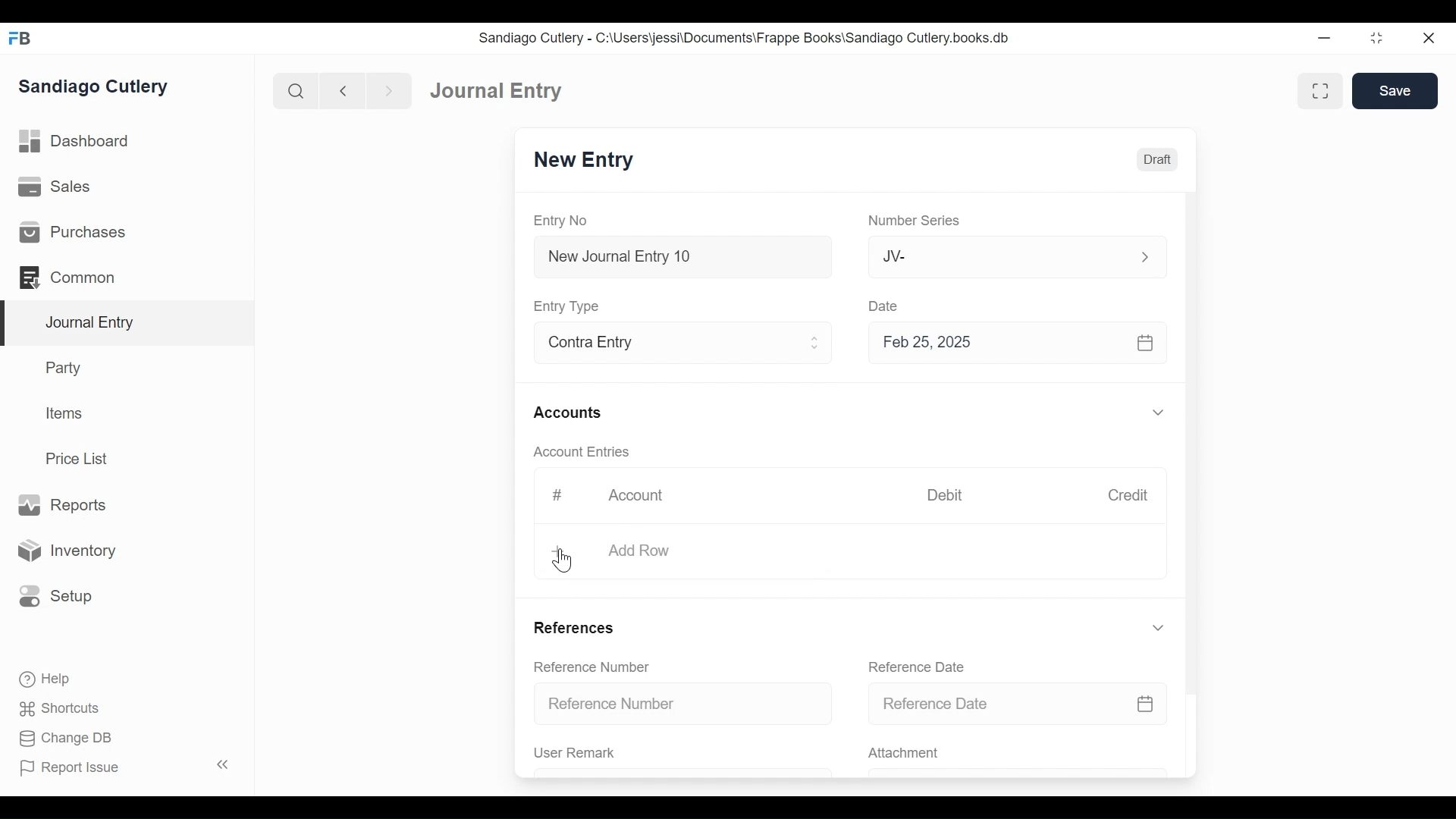  What do you see at coordinates (1131, 497) in the screenshot?
I see `Credit` at bounding box center [1131, 497].